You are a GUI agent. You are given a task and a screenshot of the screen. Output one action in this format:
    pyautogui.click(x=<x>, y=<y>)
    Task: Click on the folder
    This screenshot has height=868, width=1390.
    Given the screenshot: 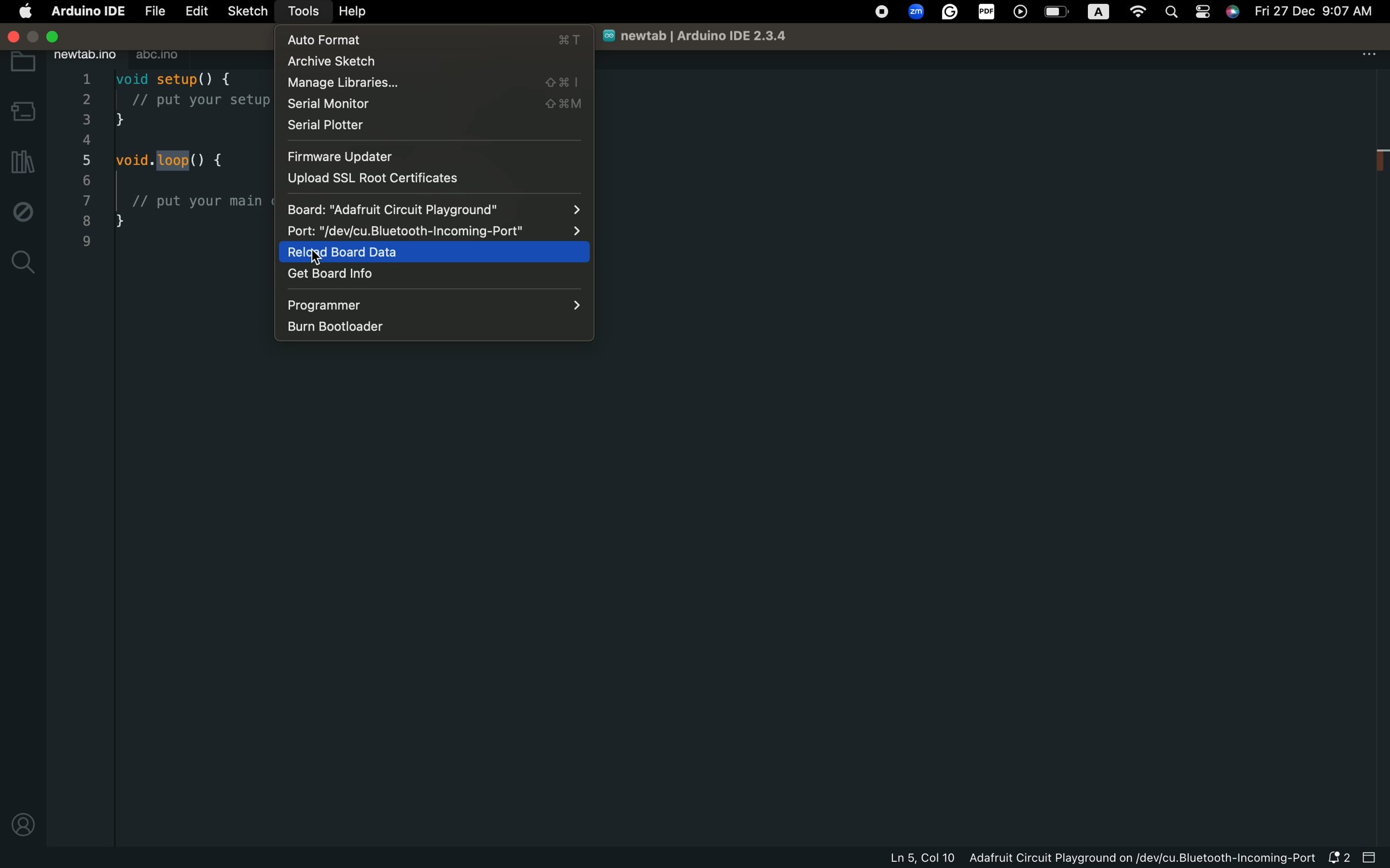 What is the action you would take?
    pyautogui.click(x=23, y=63)
    